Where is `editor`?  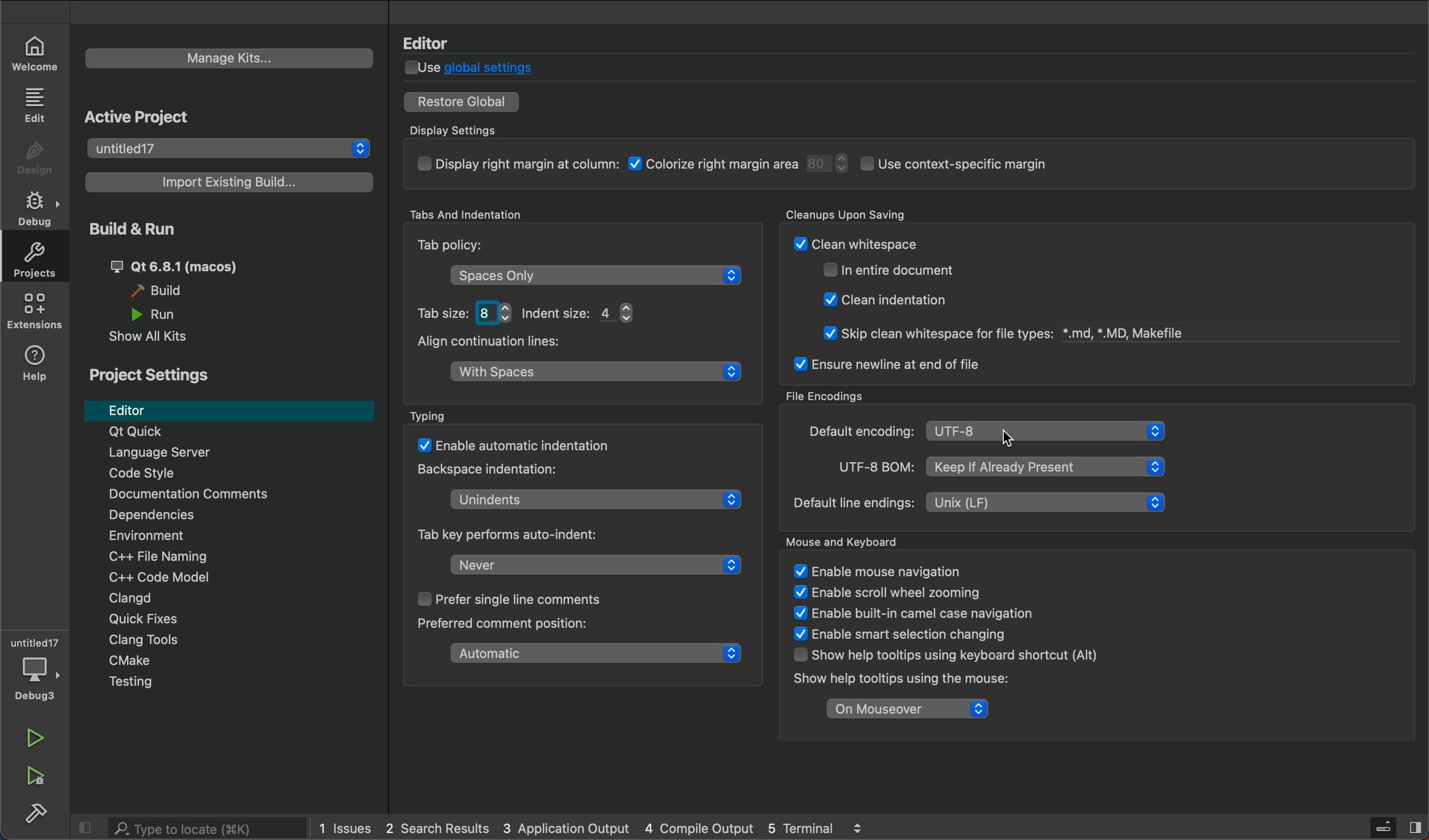
editor is located at coordinates (231, 410).